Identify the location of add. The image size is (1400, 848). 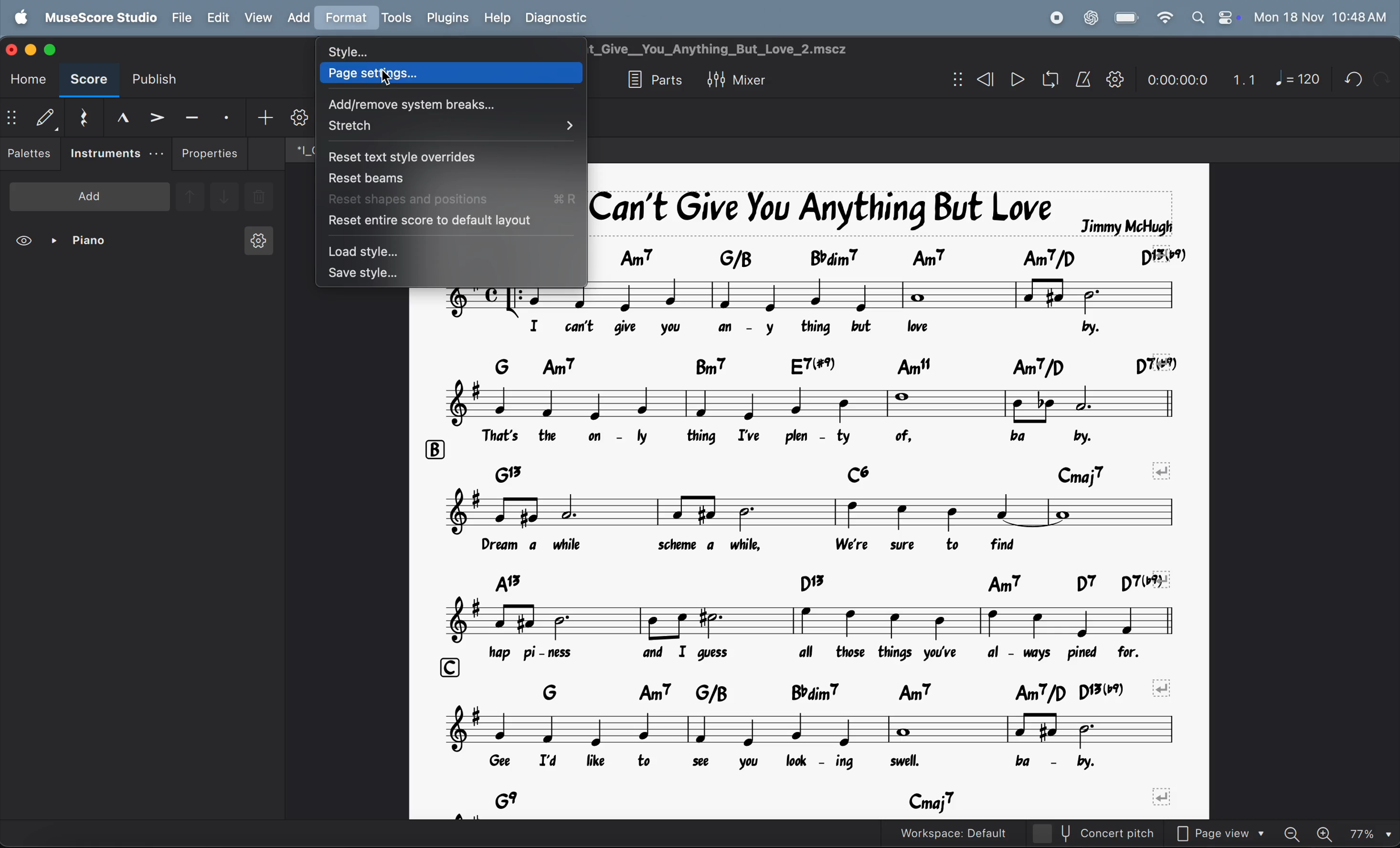
(265, 116).